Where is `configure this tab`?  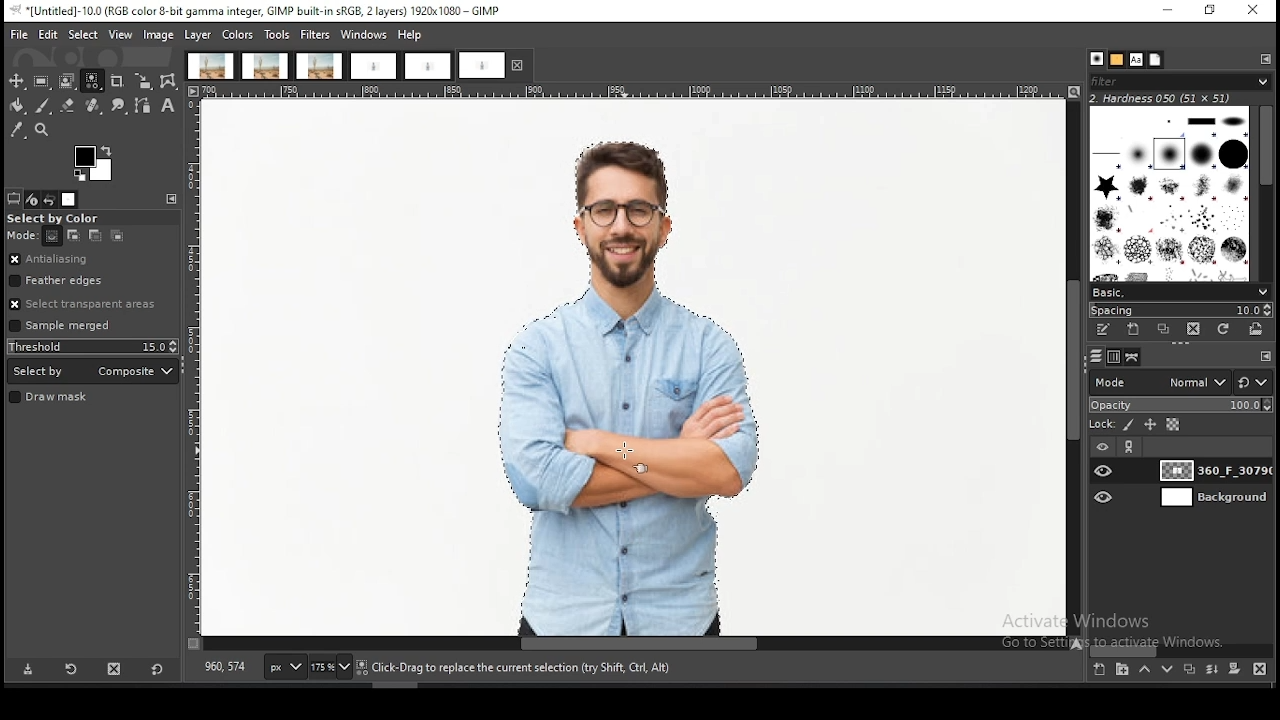 configure this tab is located at coordinates (1266, 356).